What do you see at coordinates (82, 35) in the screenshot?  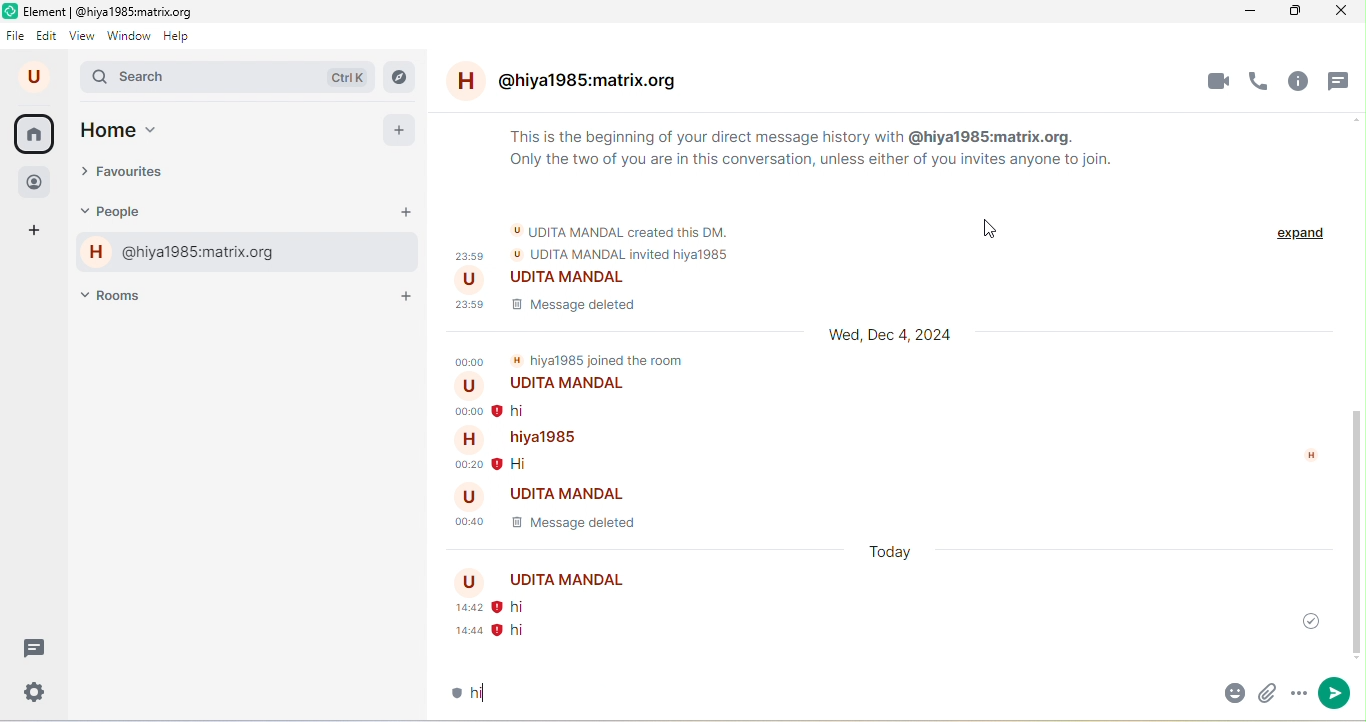 I see `view` at bounding box center [82, 35].